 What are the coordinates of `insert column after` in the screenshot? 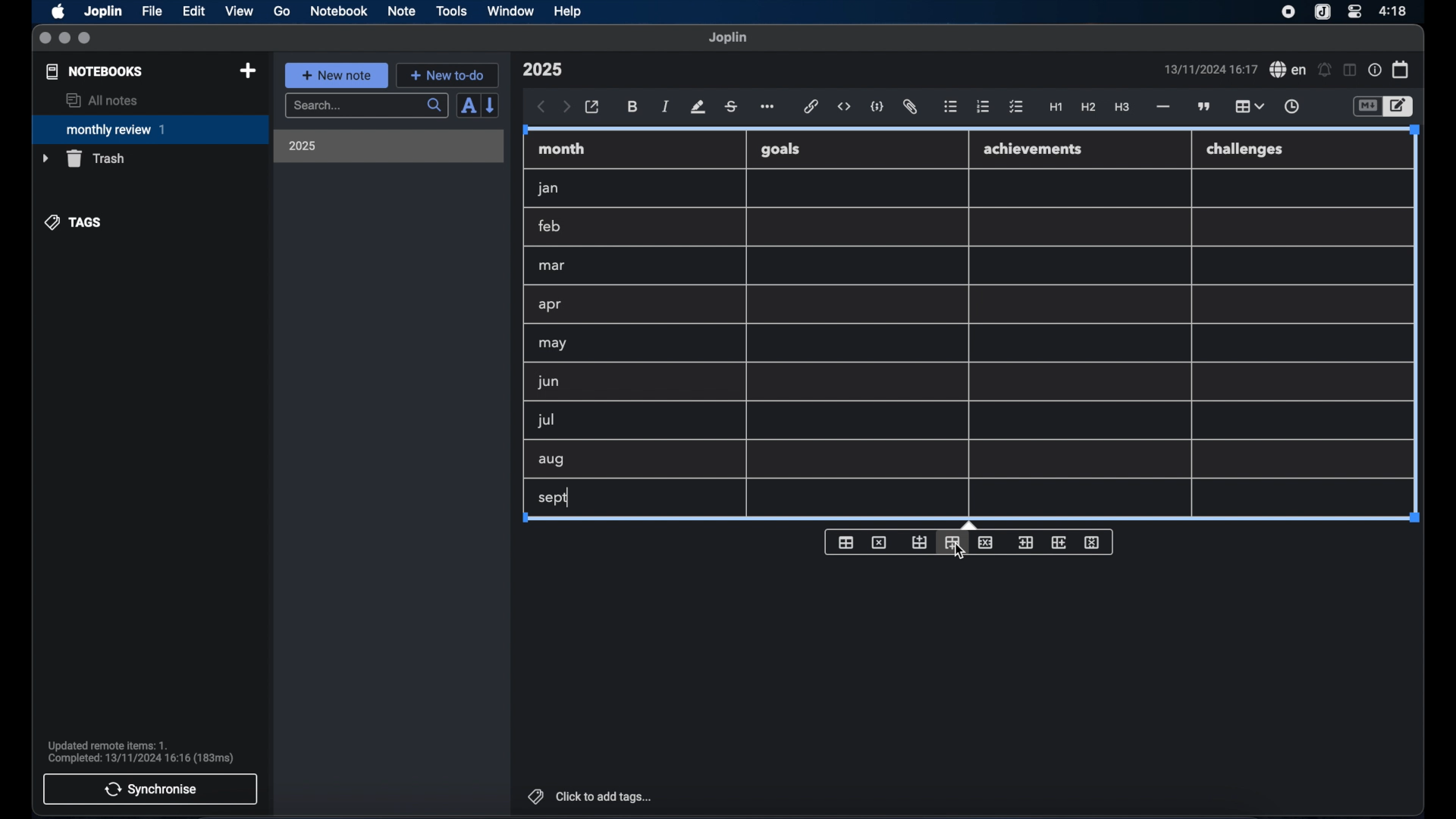 It's located at (952, 543).